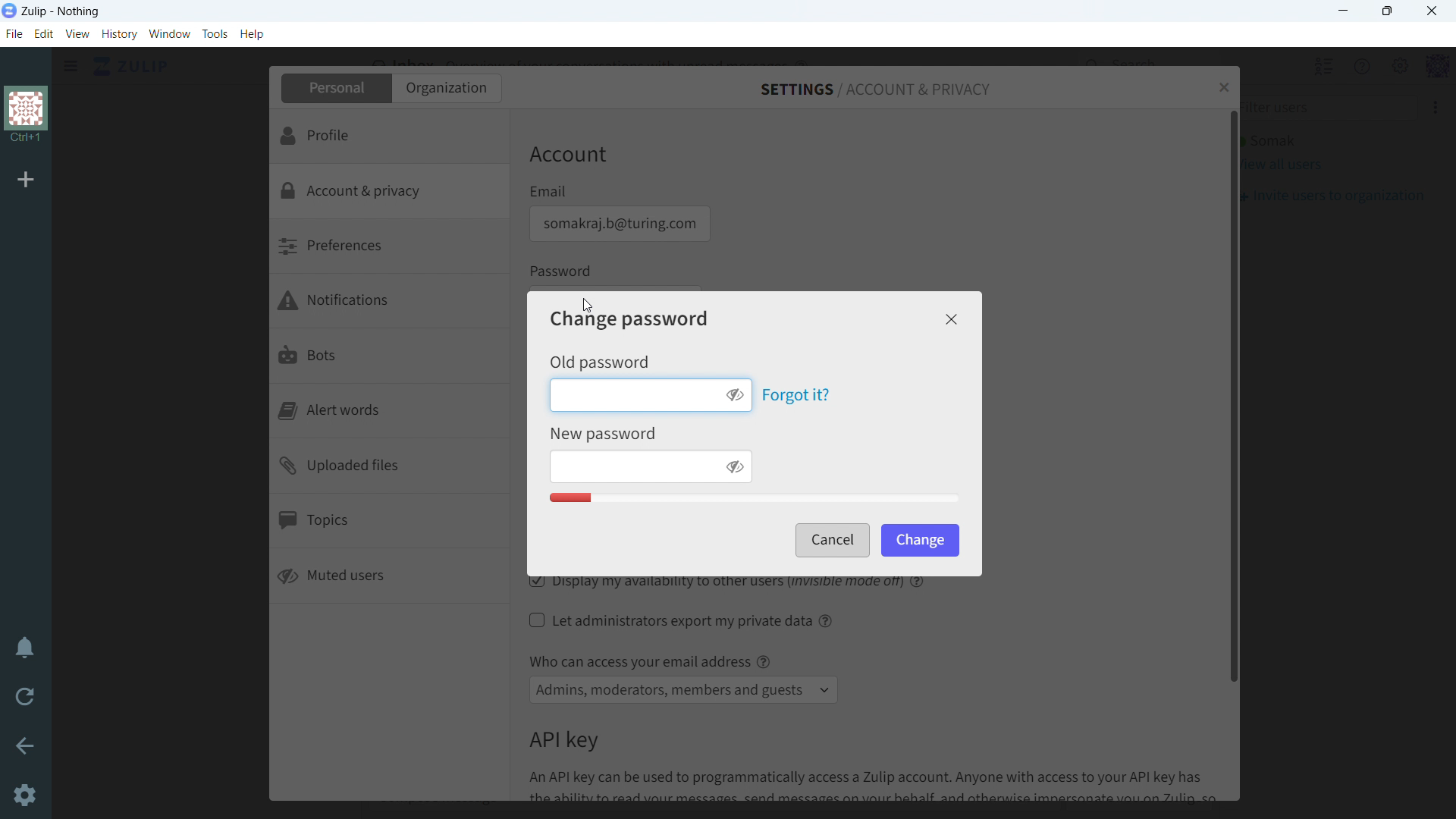  Describe the element at coordinates (390, 577) in the screenshot. I see `muted users` at that location.